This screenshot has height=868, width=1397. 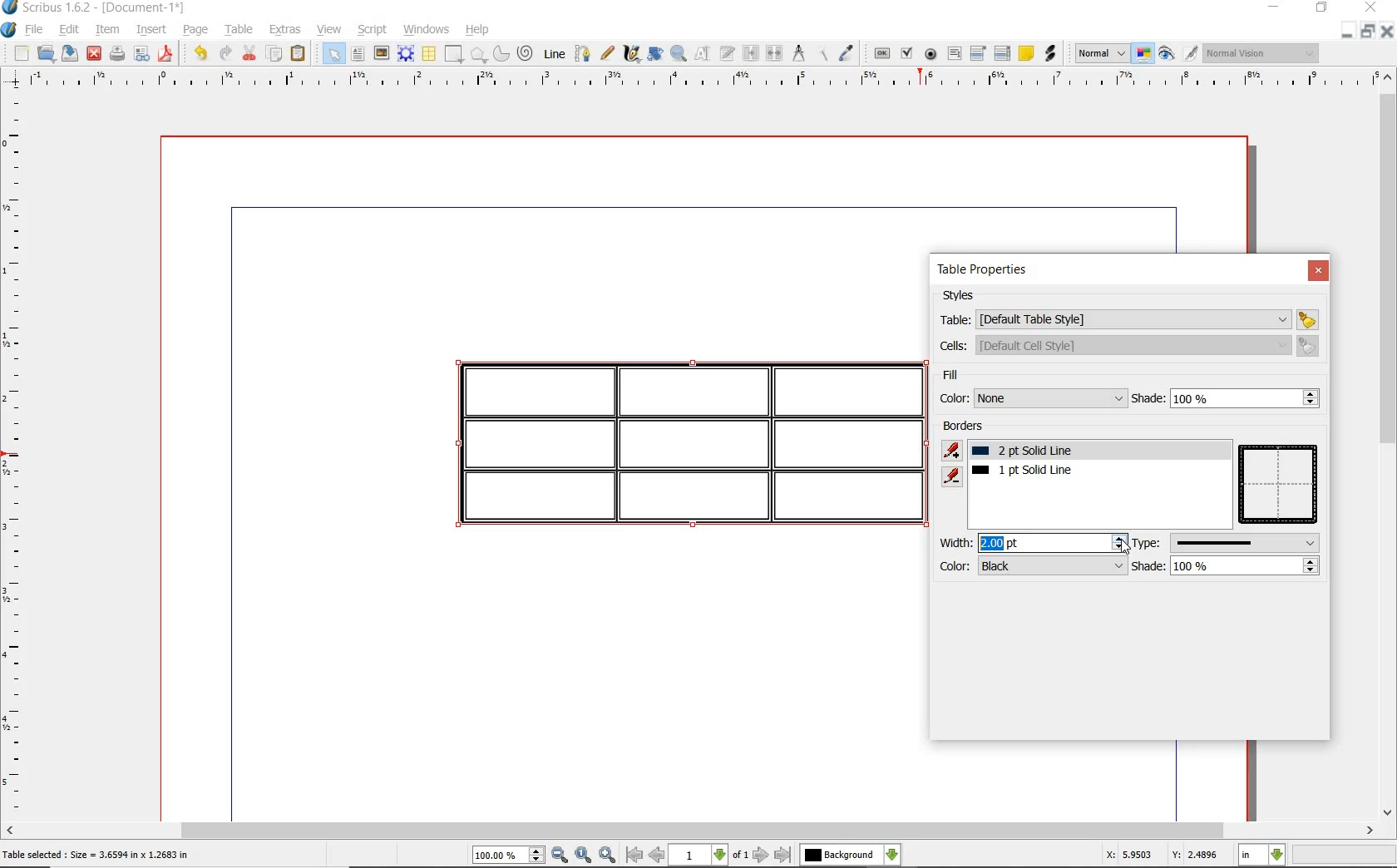 I want to click on help, so click(x=476, y=31).